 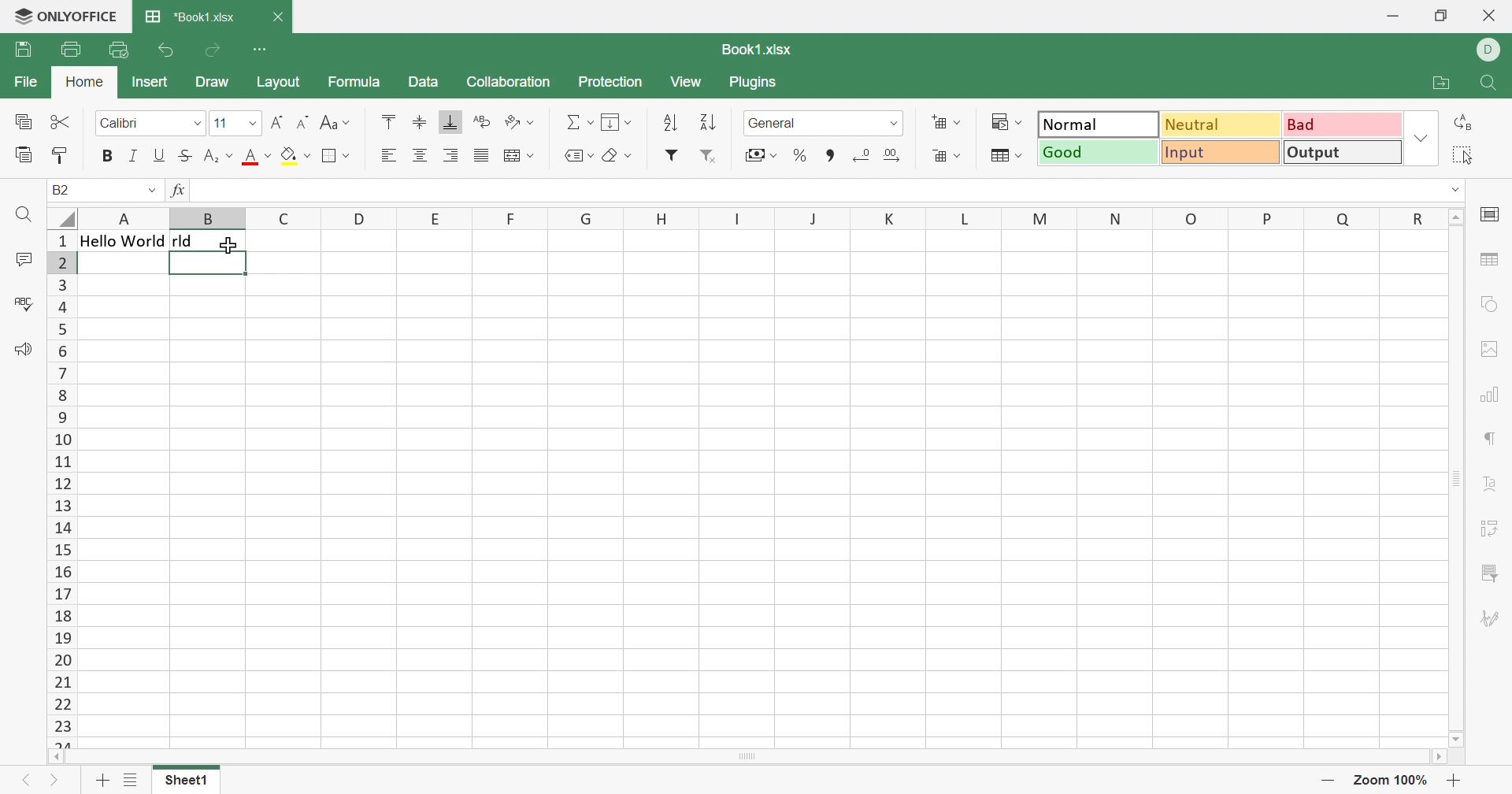 What do you see at coordinates (671, 153) in the screenshot?
I see `Filter` at bounding box center [671, 153].